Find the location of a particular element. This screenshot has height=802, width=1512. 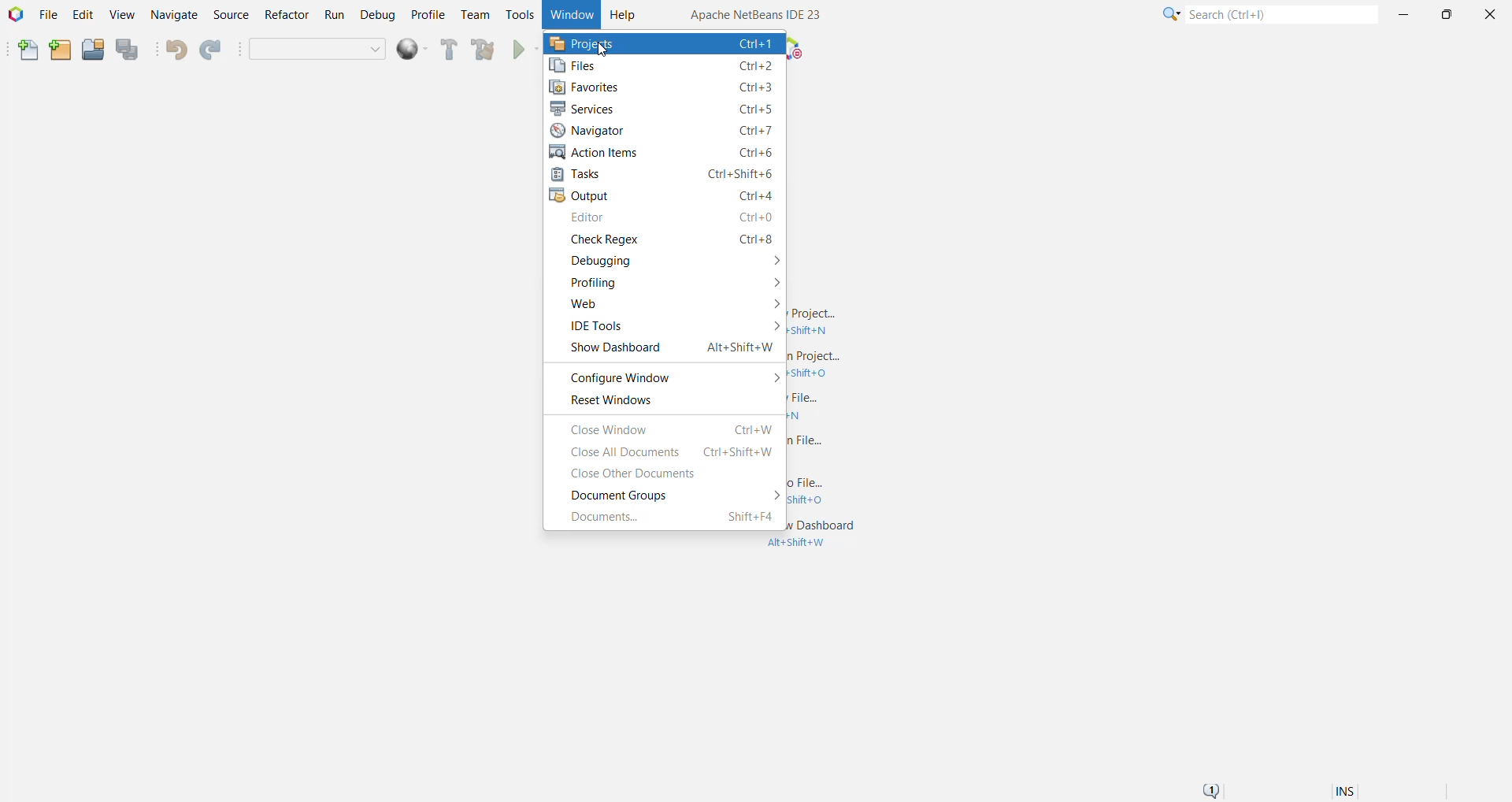

Tools is located at coordinates (520, 13).